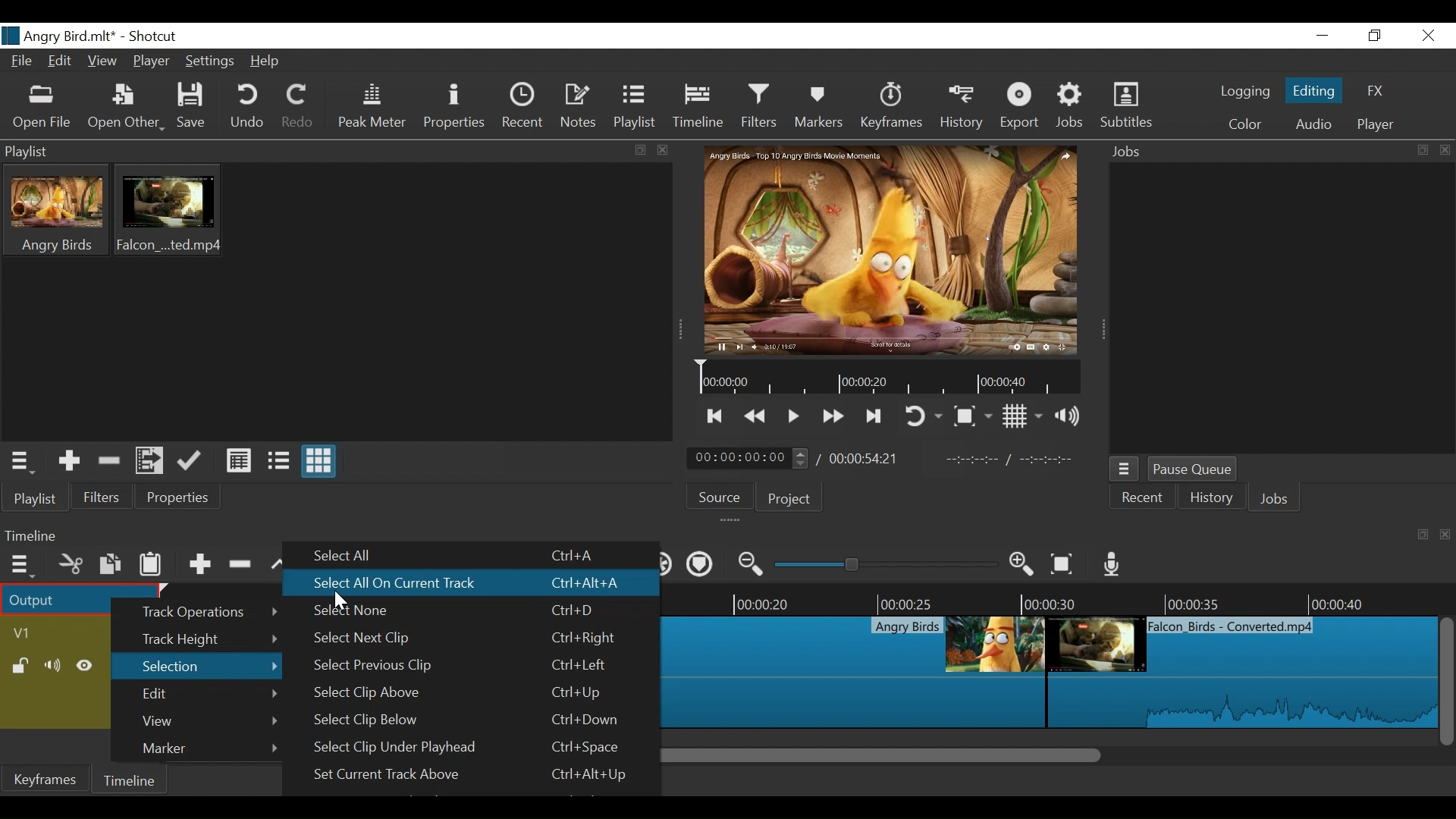 Image resolution: width=1456 pixels, height=819 pixels. What do you see at coordinates (67, 461) in the screenshot?
I see `Add the Source to the playlist` at bounding box center [67, 461].